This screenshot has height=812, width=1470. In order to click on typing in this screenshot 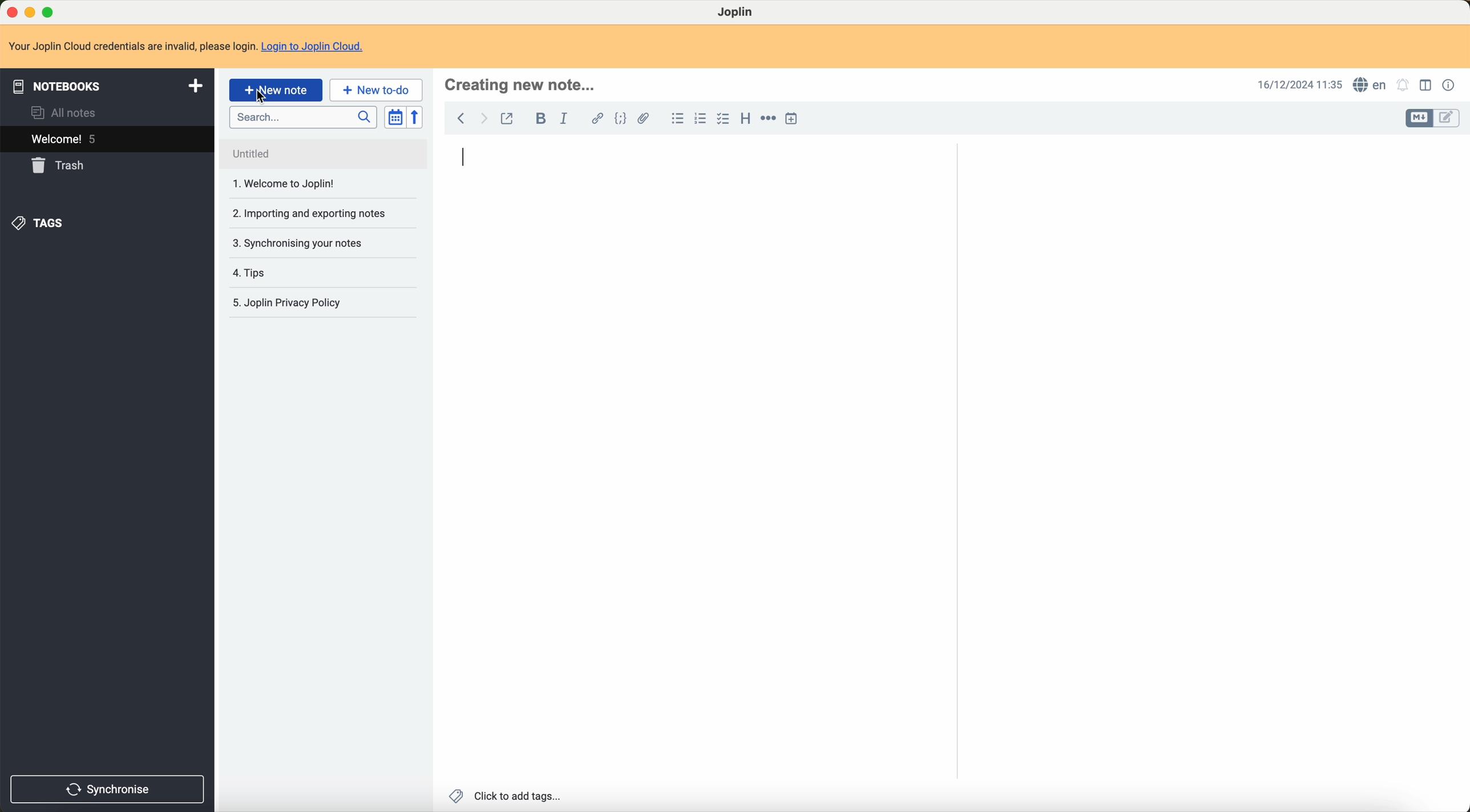, I will do `click(469, 160)`.